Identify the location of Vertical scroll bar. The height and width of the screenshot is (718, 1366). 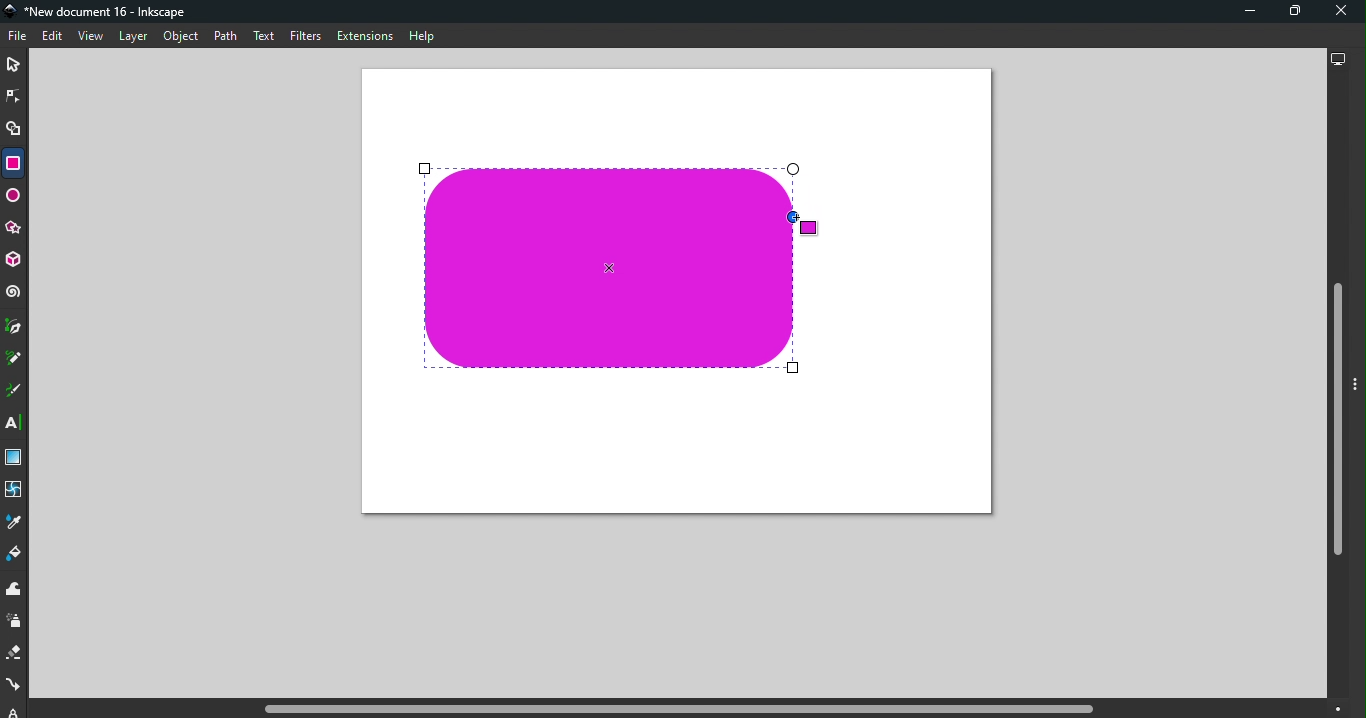
(1336, 387).